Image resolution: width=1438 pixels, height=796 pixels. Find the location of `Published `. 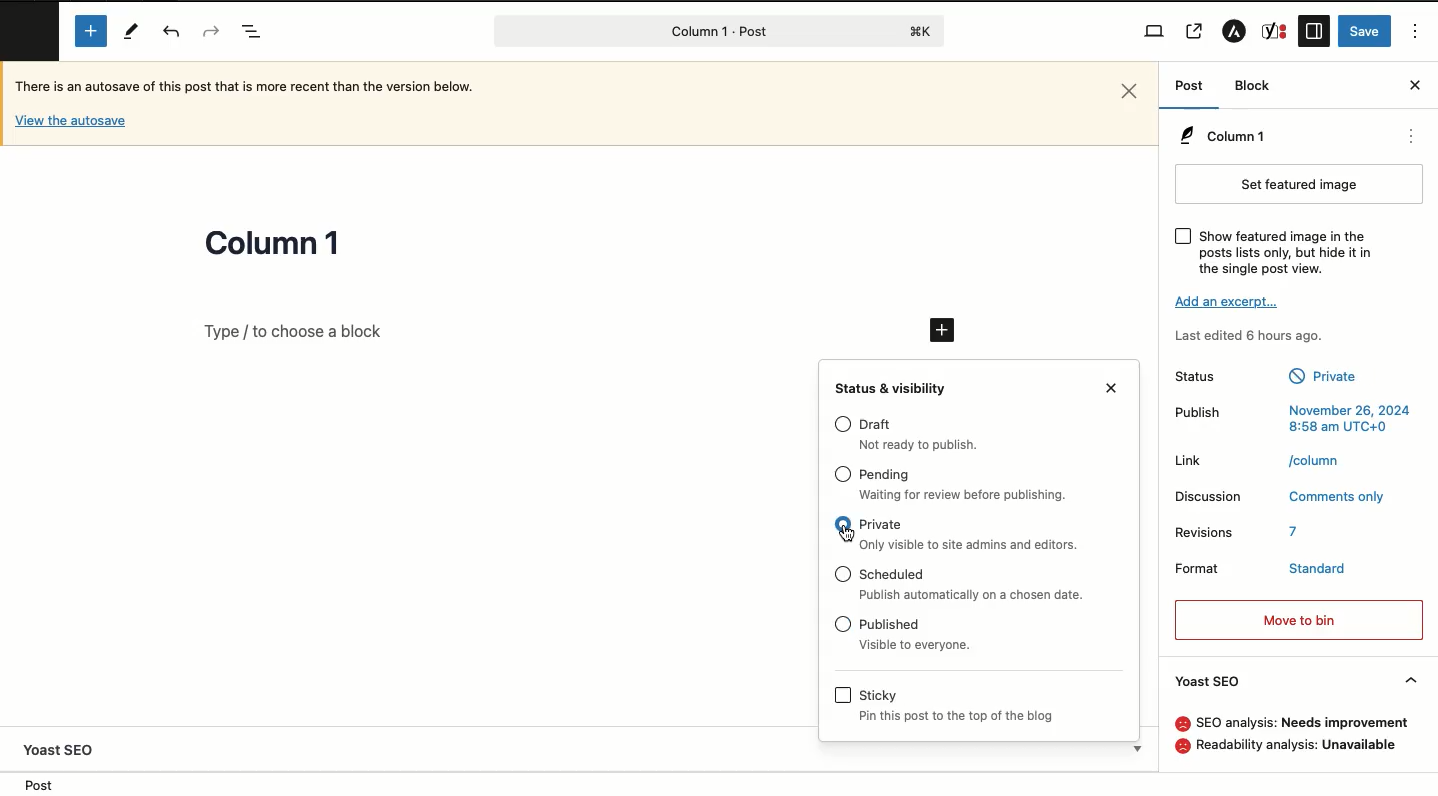

Published  is located at coordinates (1334, 378).